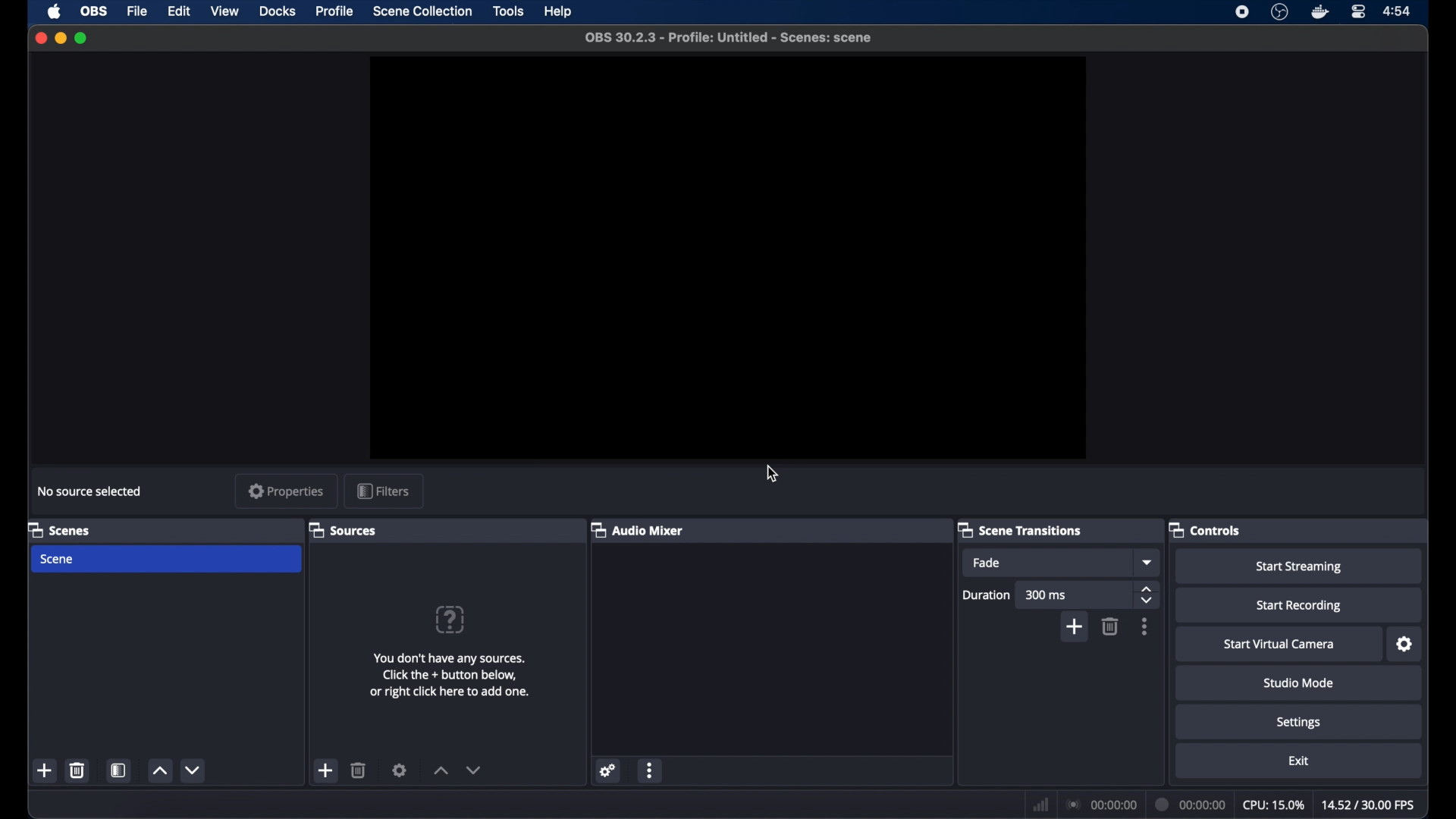  Describe the element at coordinates (987, 594) in the screenshot. I see `duration` at that location.